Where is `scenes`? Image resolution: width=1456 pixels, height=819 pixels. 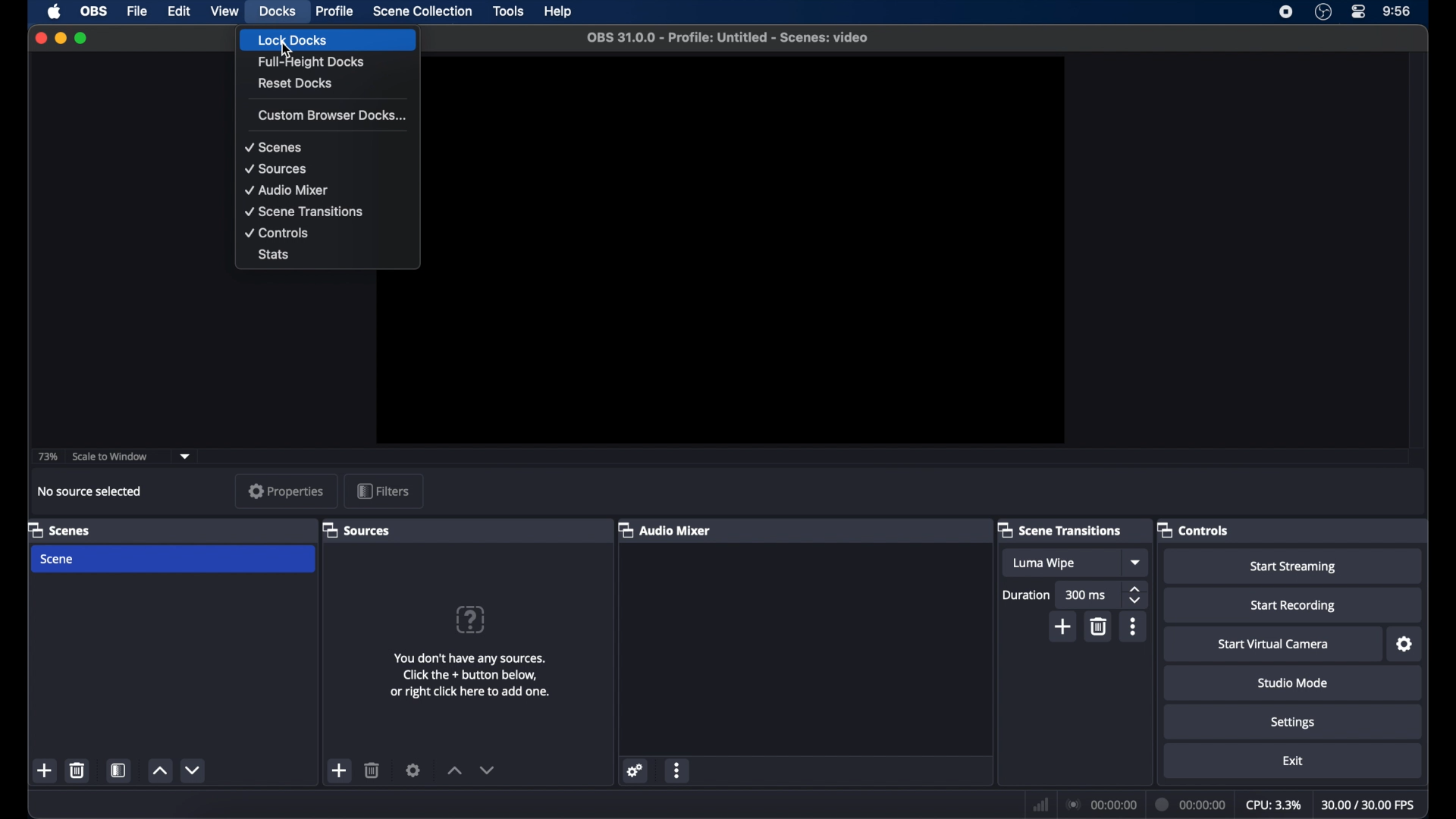 scenes is located at coordinates (62, 531).